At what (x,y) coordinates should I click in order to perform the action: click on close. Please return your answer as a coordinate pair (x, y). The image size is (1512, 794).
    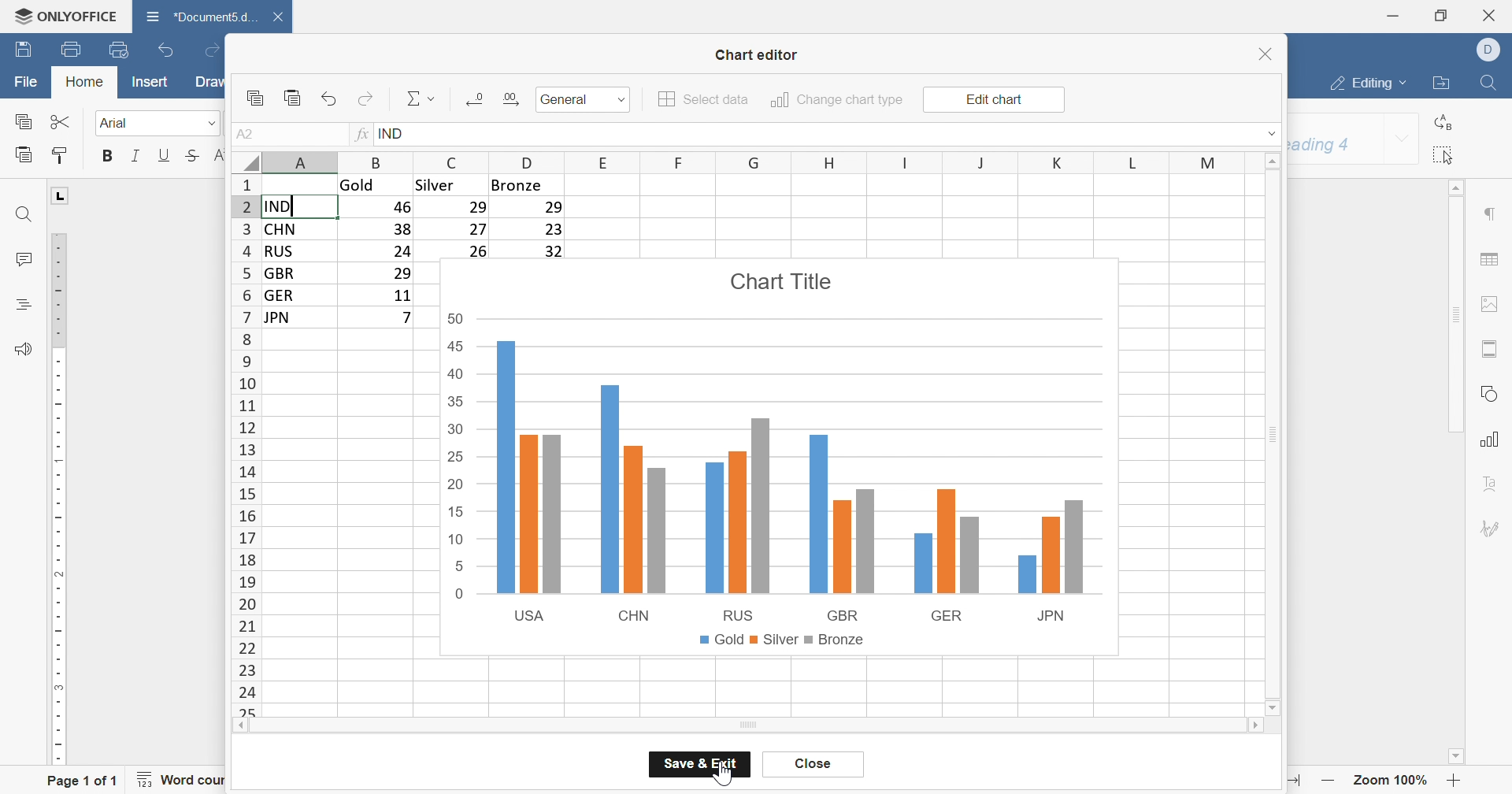
    Looking at the image, I should click on (1267, 54).